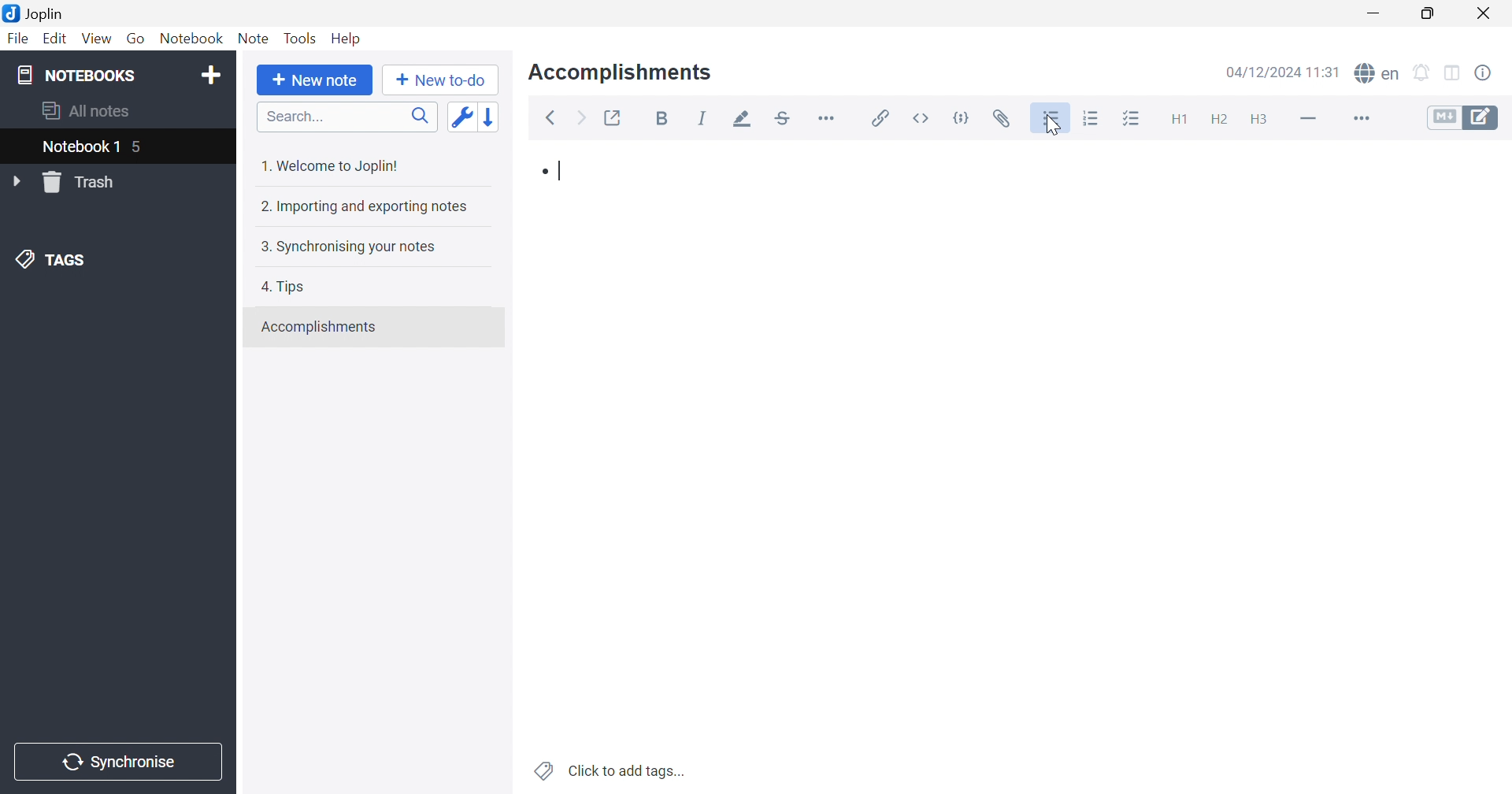 This screenshot has width=1512, height=794. Describe the element at coordinates (1135, 120) in the screenshot. I see `Checkbox list` at that location.